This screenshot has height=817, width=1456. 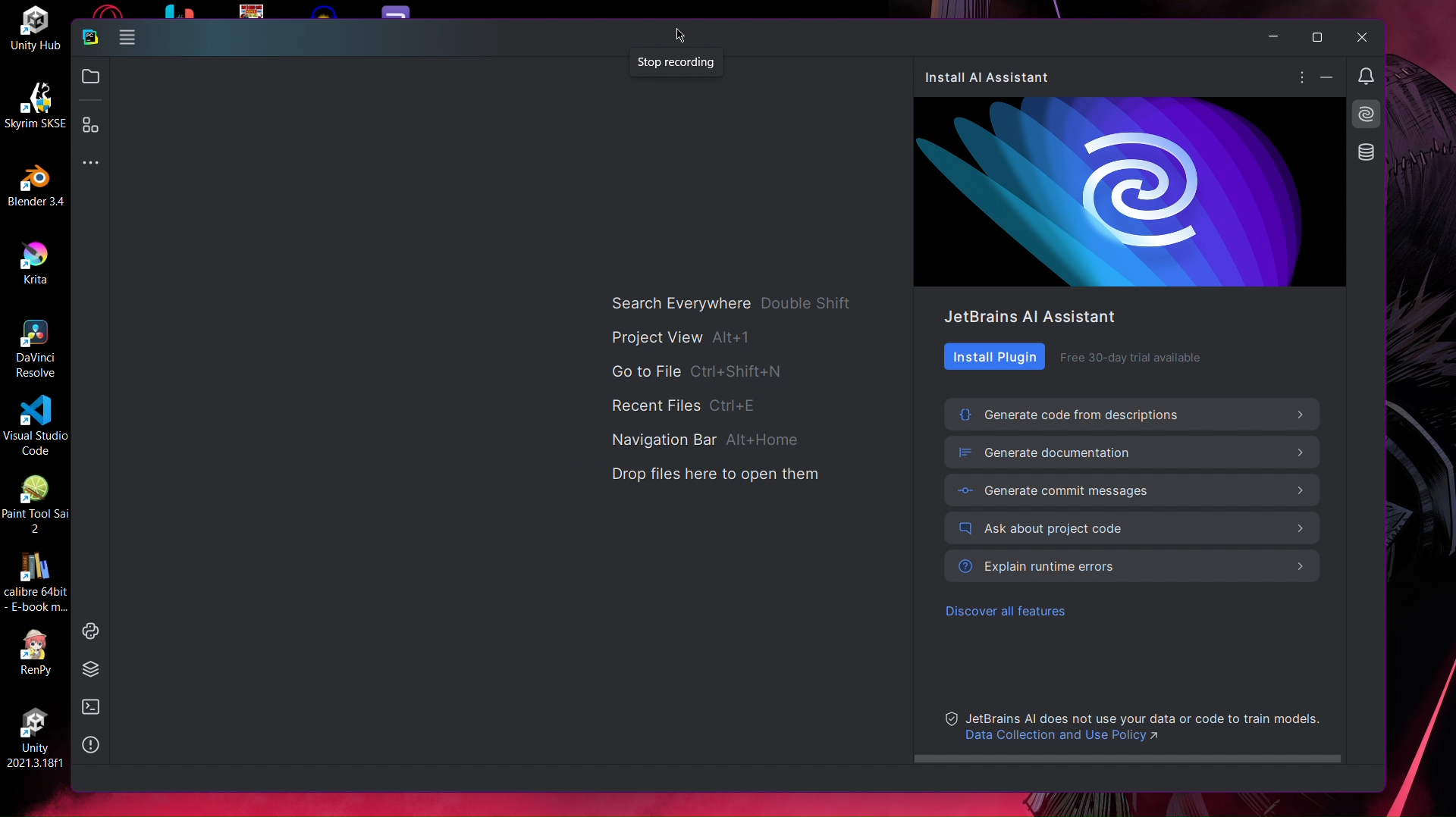 I want to click on Open folder, so click(x=90, y=74).